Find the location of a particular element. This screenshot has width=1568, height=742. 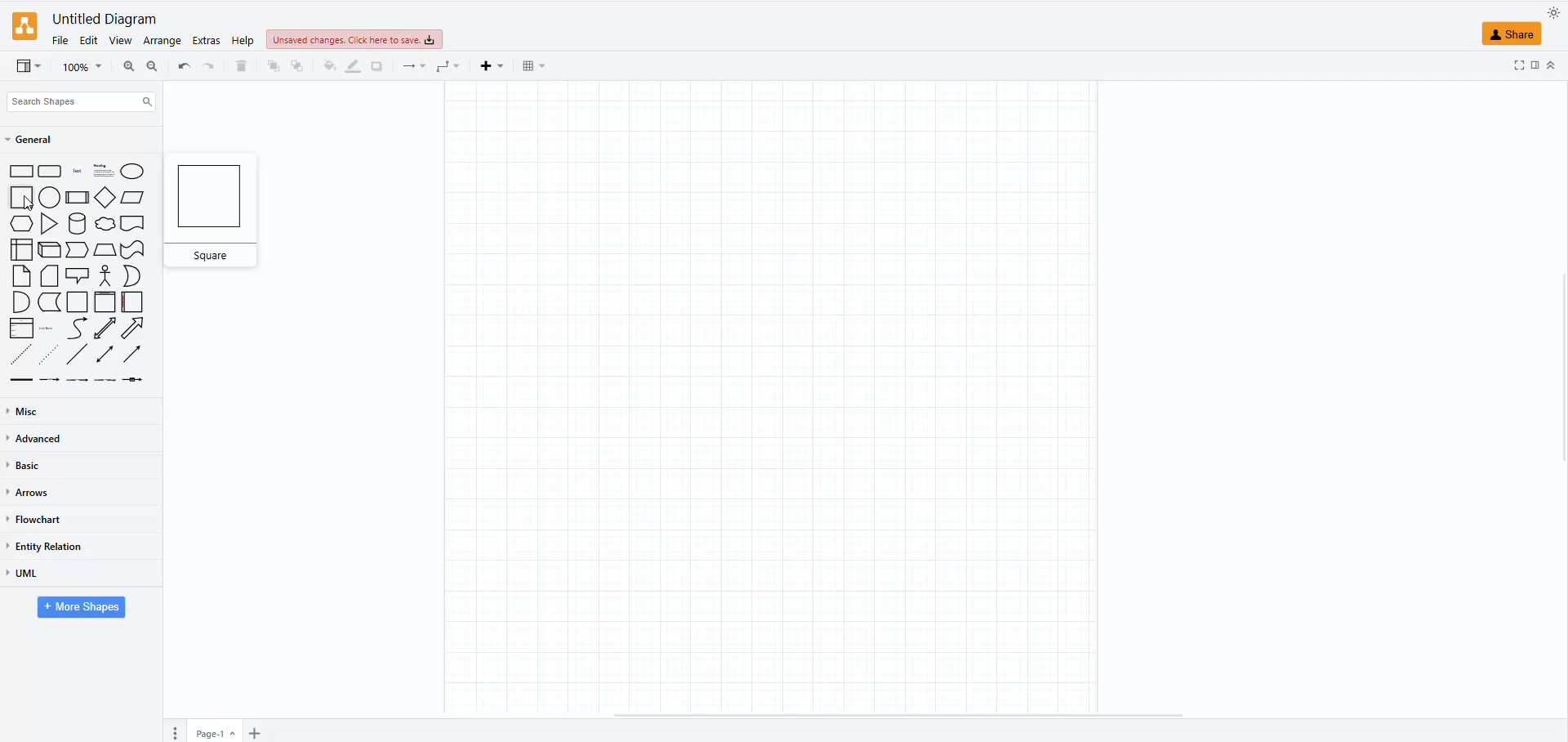

fill color is located at coordinates (325, 69).